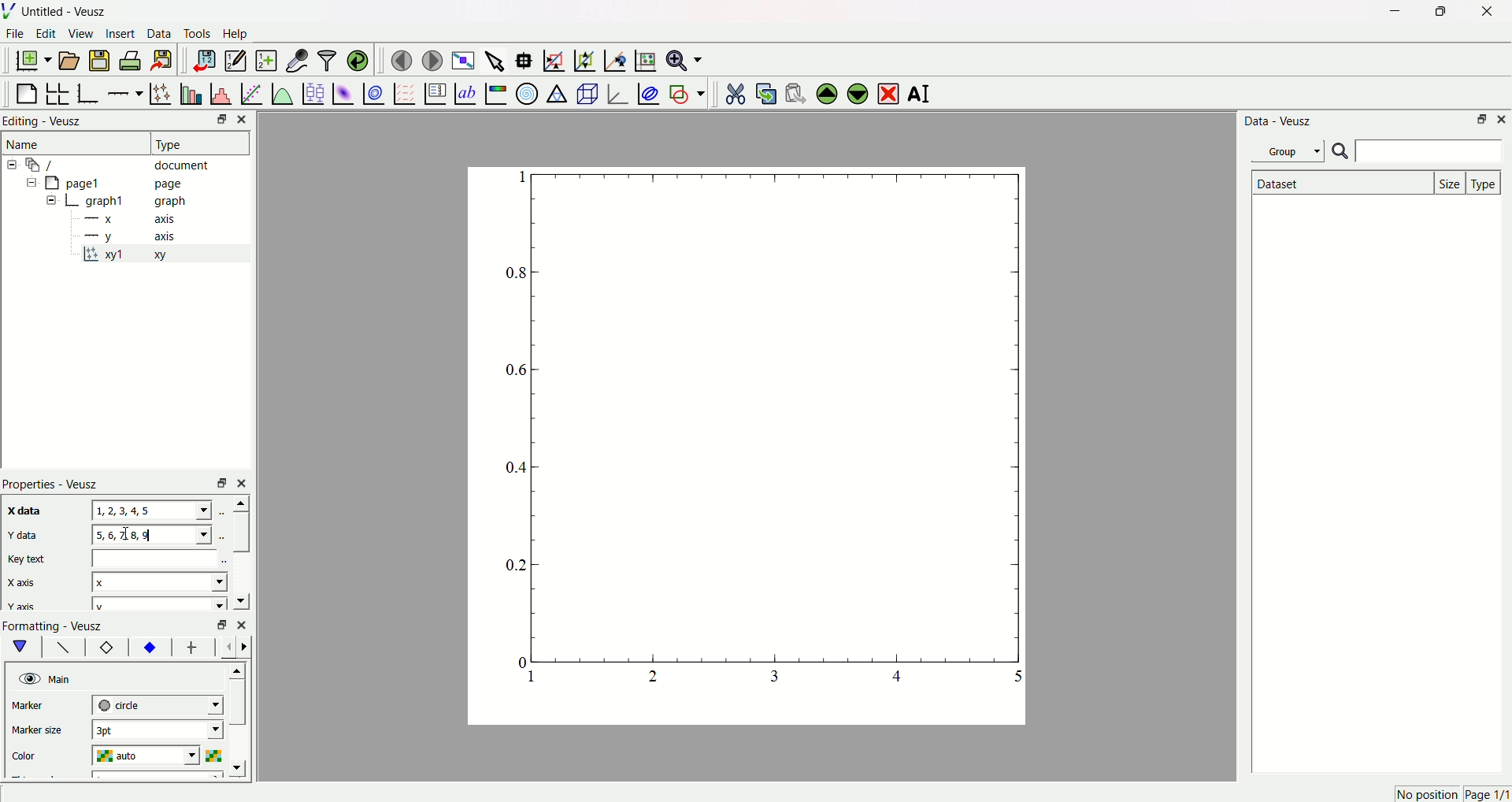  Describe the element at coordinates (239, 707) in the screenshot. I see `scroll bar` at that location.